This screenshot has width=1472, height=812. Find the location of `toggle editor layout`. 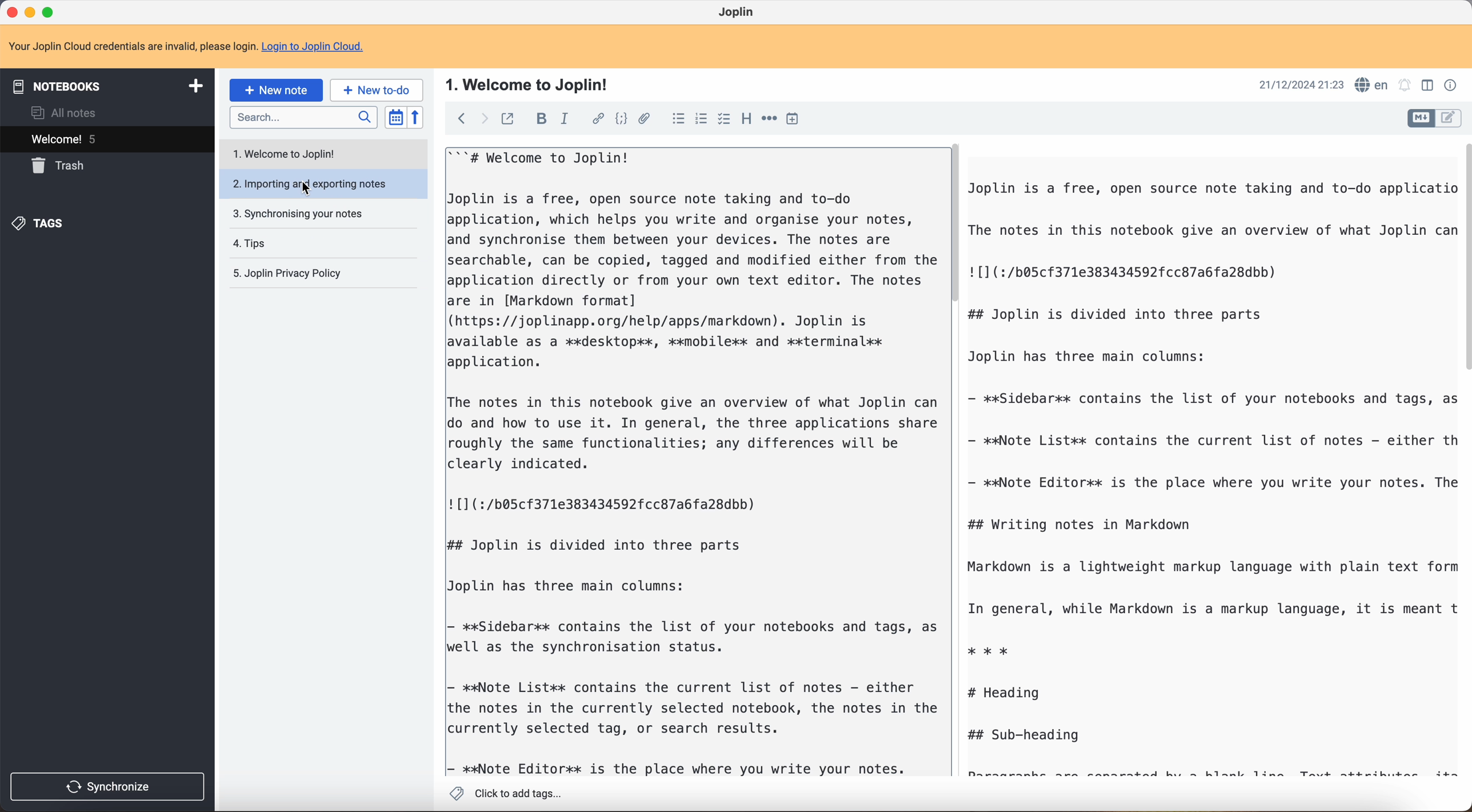

toggle editor layout is located at coordinates (1421, 118).